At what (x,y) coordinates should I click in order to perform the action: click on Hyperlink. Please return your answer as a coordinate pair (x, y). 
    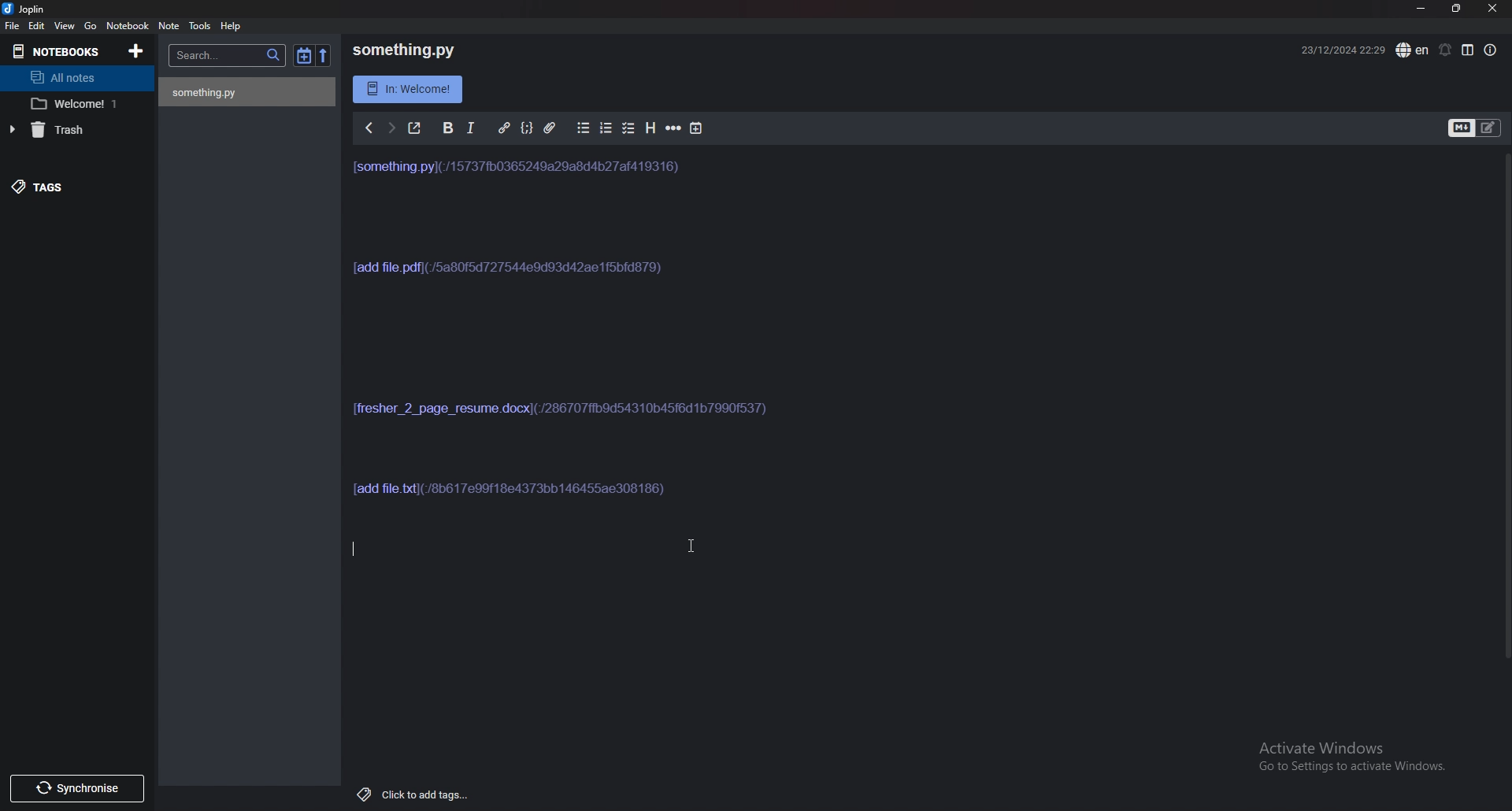
    Looking at the image, I should click on (504, 129).